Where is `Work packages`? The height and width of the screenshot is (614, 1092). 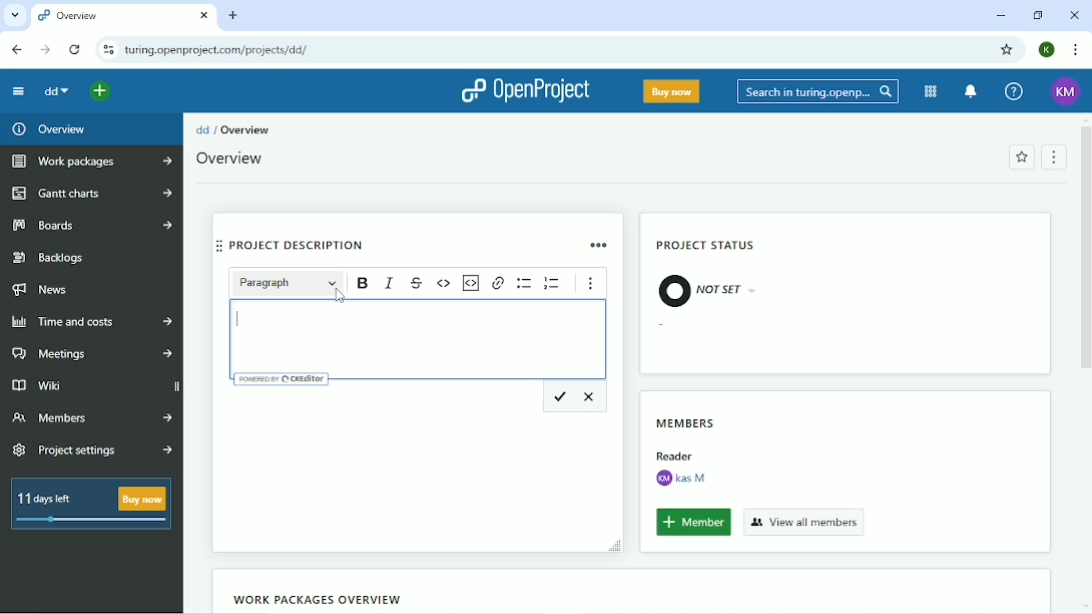 Work packages is located at coordinates (89, 162).